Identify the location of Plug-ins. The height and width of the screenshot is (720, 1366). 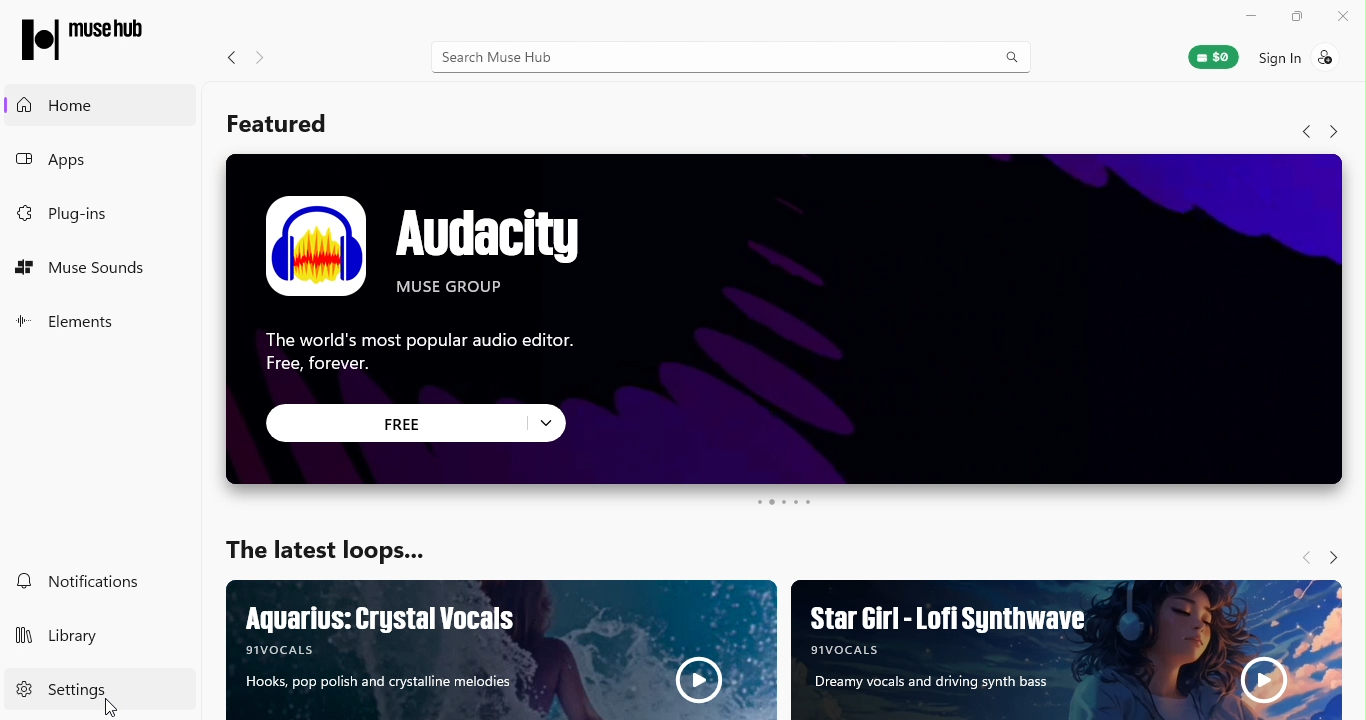
(67, 214).